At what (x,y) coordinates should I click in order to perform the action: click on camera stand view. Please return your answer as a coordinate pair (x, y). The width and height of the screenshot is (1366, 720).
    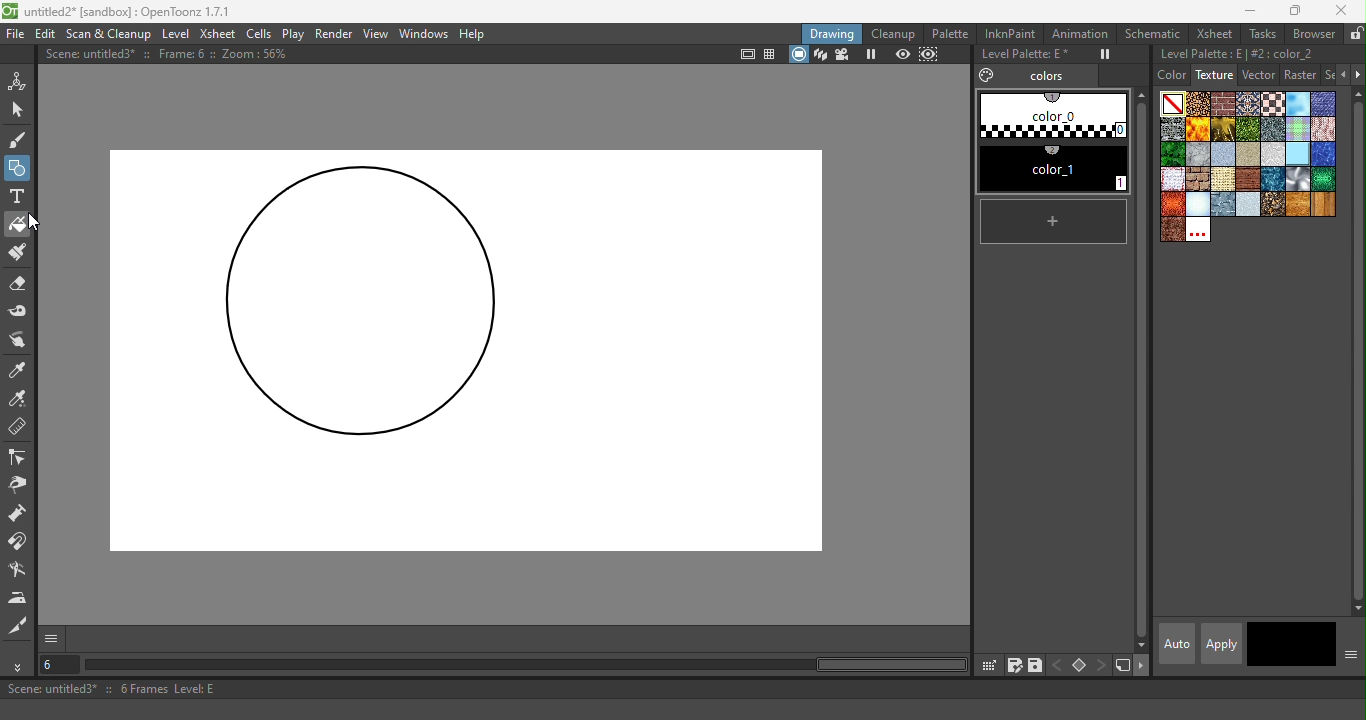
    Looking at the image, I should click on (798, 54).